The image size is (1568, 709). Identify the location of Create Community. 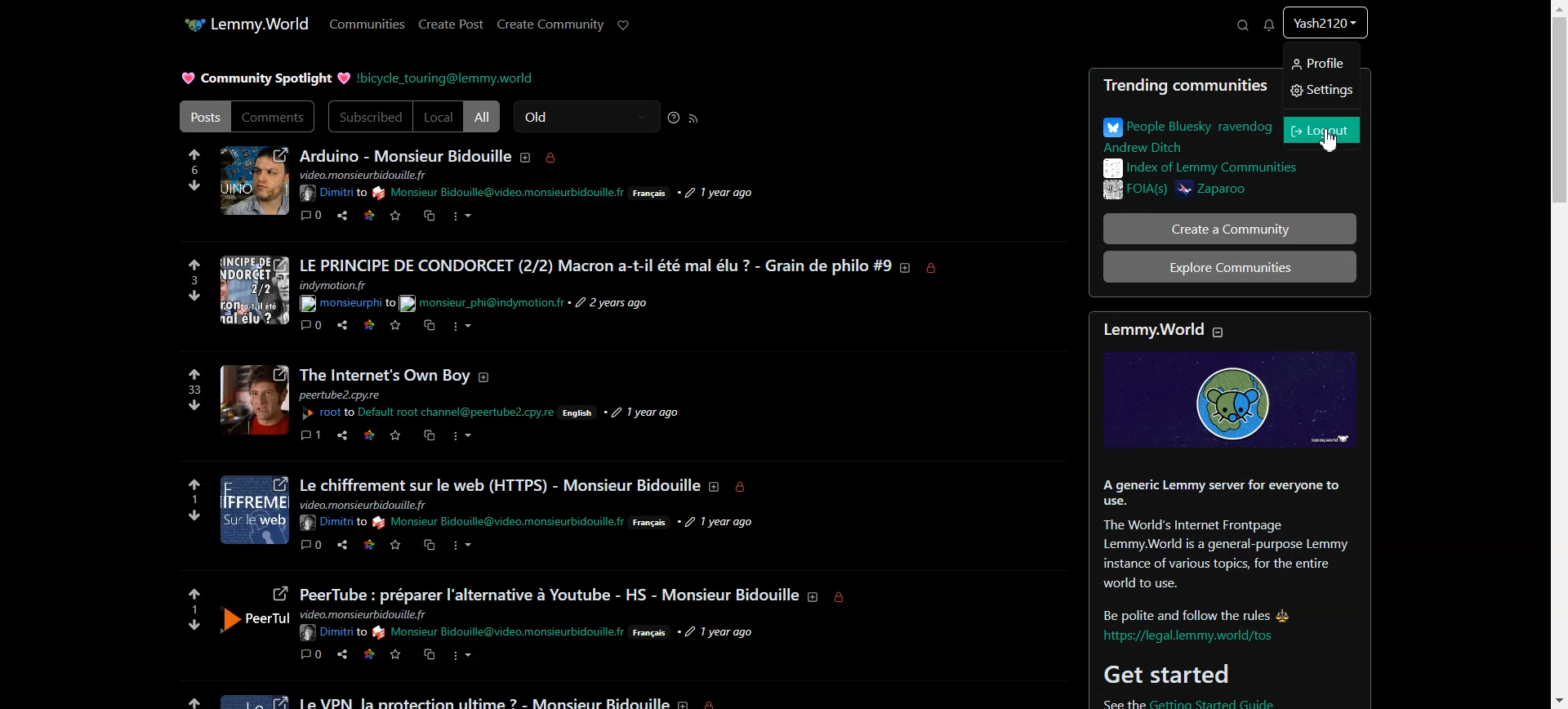
(550, 23).